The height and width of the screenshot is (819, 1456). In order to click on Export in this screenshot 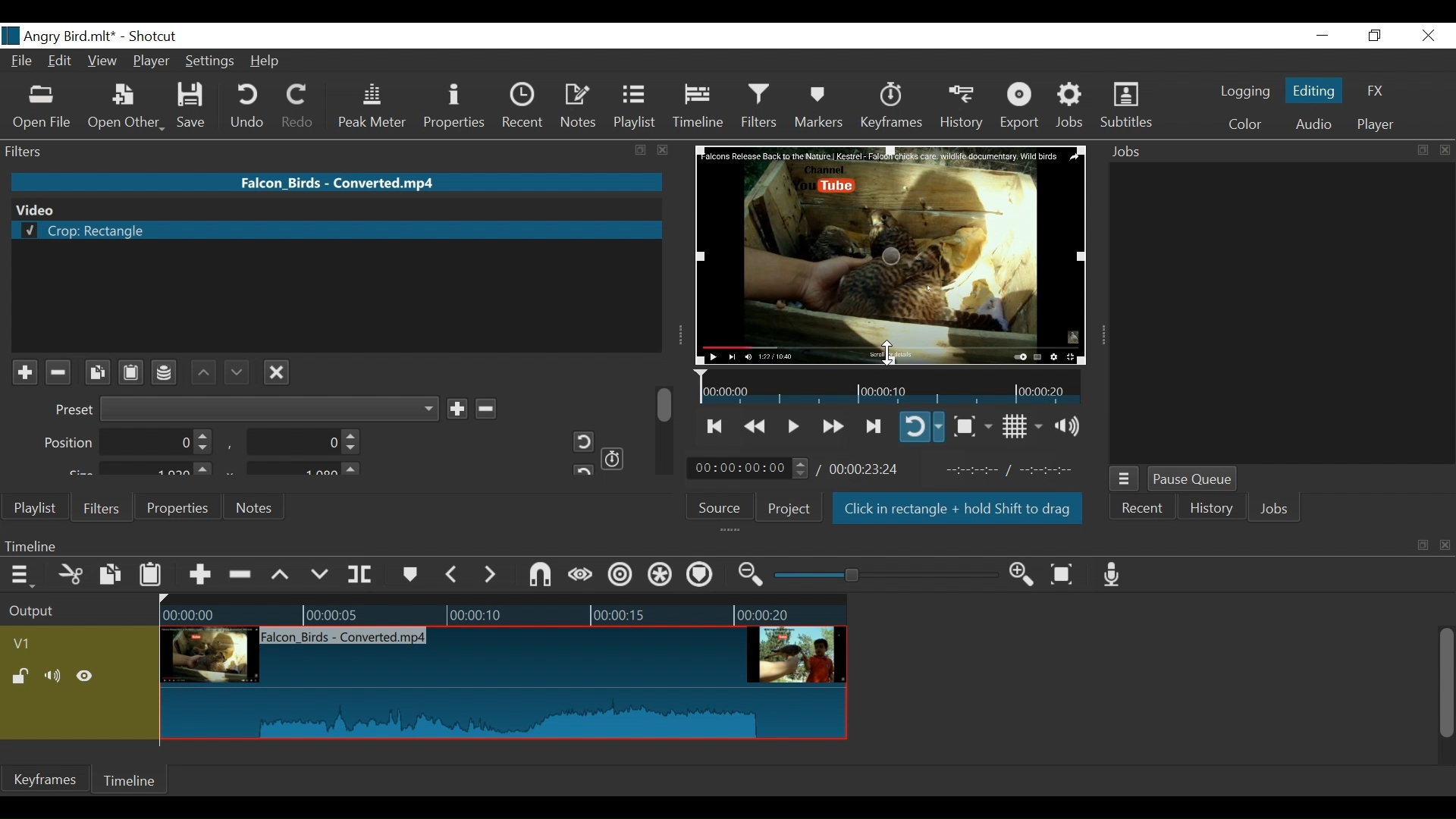, I will do `click(1020, 107)`.